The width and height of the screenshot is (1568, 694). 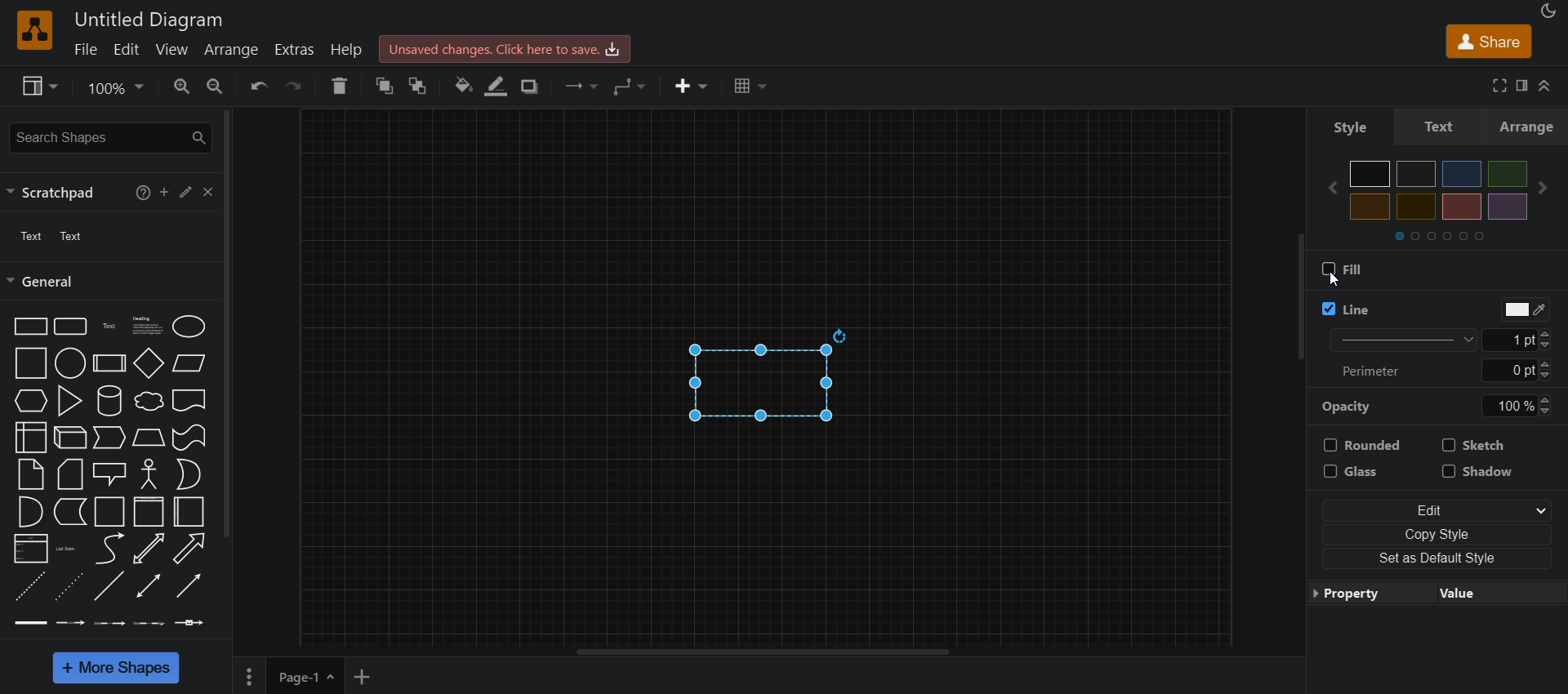 What do you see at coordinates (1441, 128) in the screenshot?
I see `style` at bounding box center [1441, 128].